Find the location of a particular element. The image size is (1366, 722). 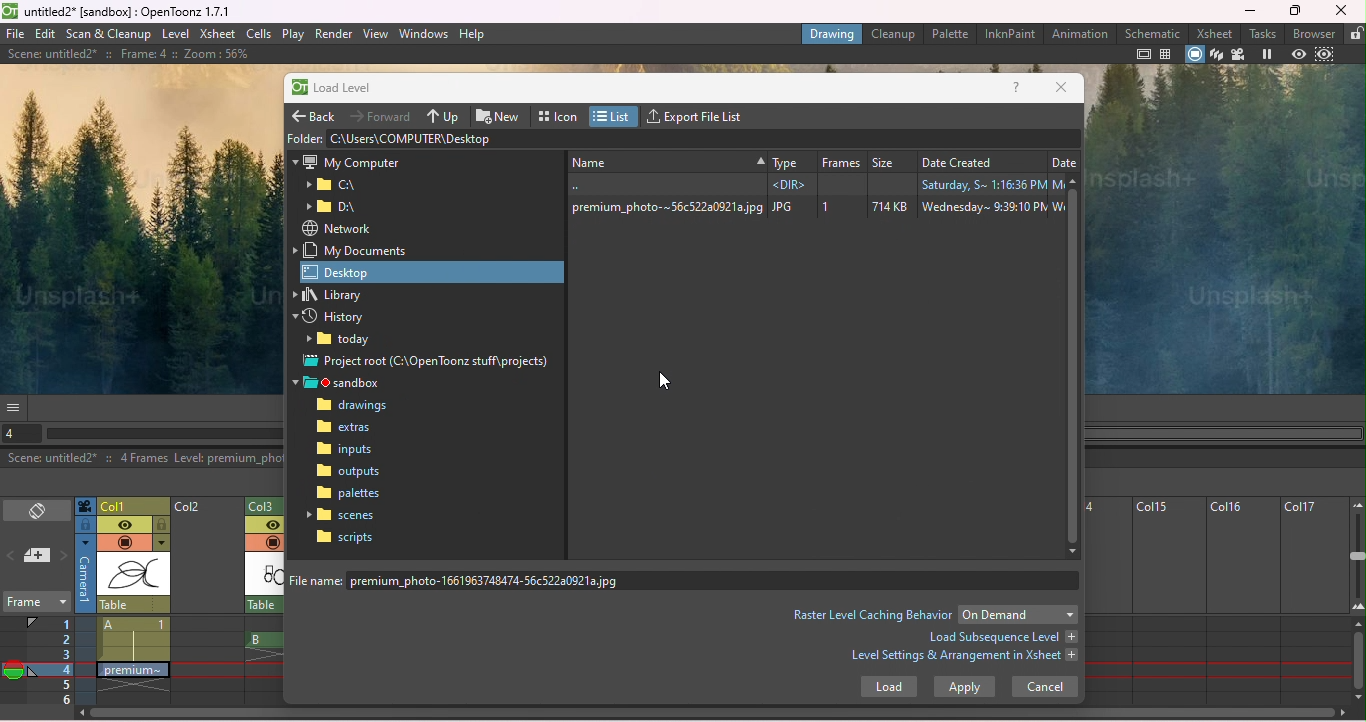

Preview visibility toggle is located at coordinates (124, 525).